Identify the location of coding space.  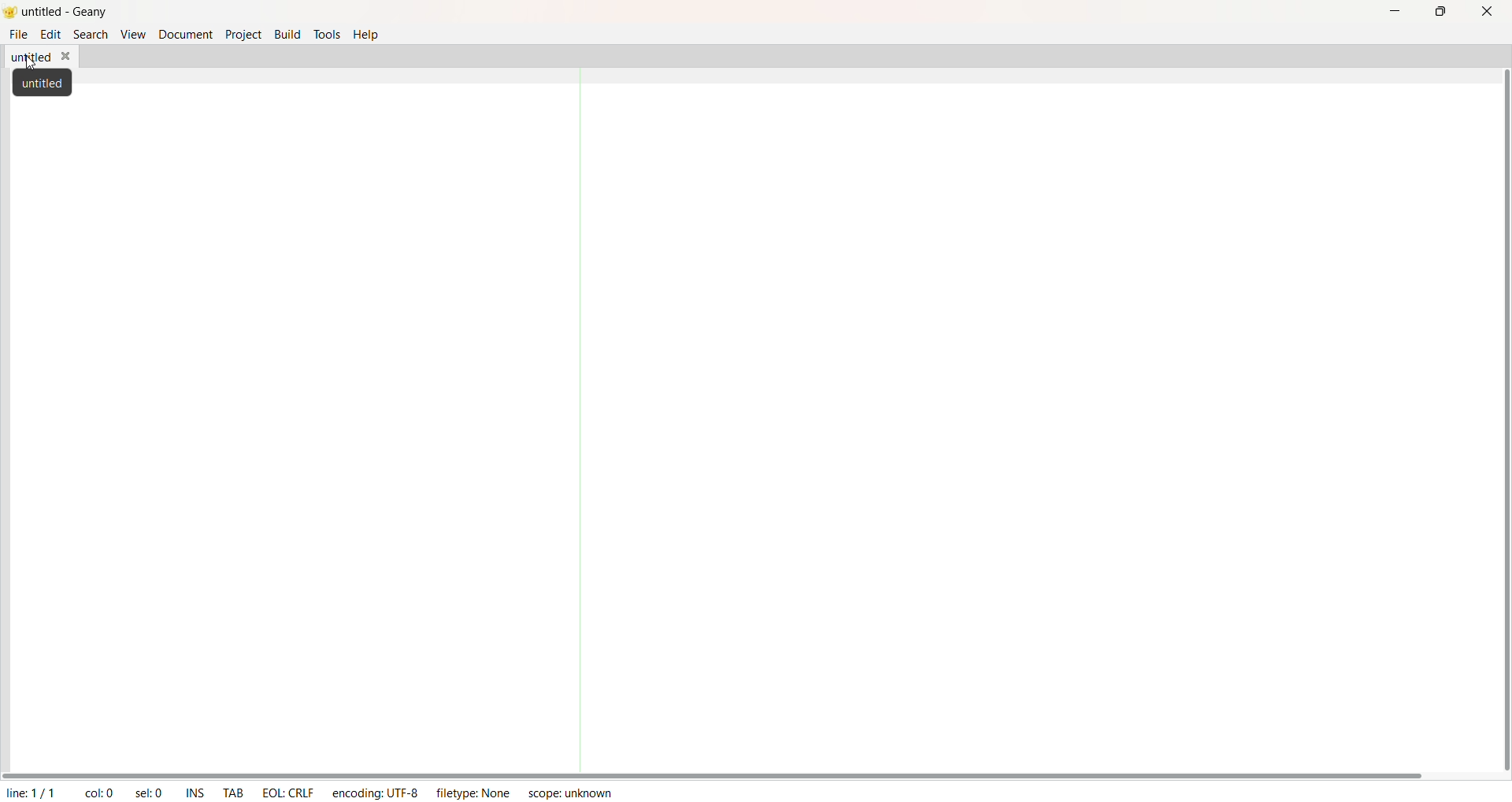
(898, 413).